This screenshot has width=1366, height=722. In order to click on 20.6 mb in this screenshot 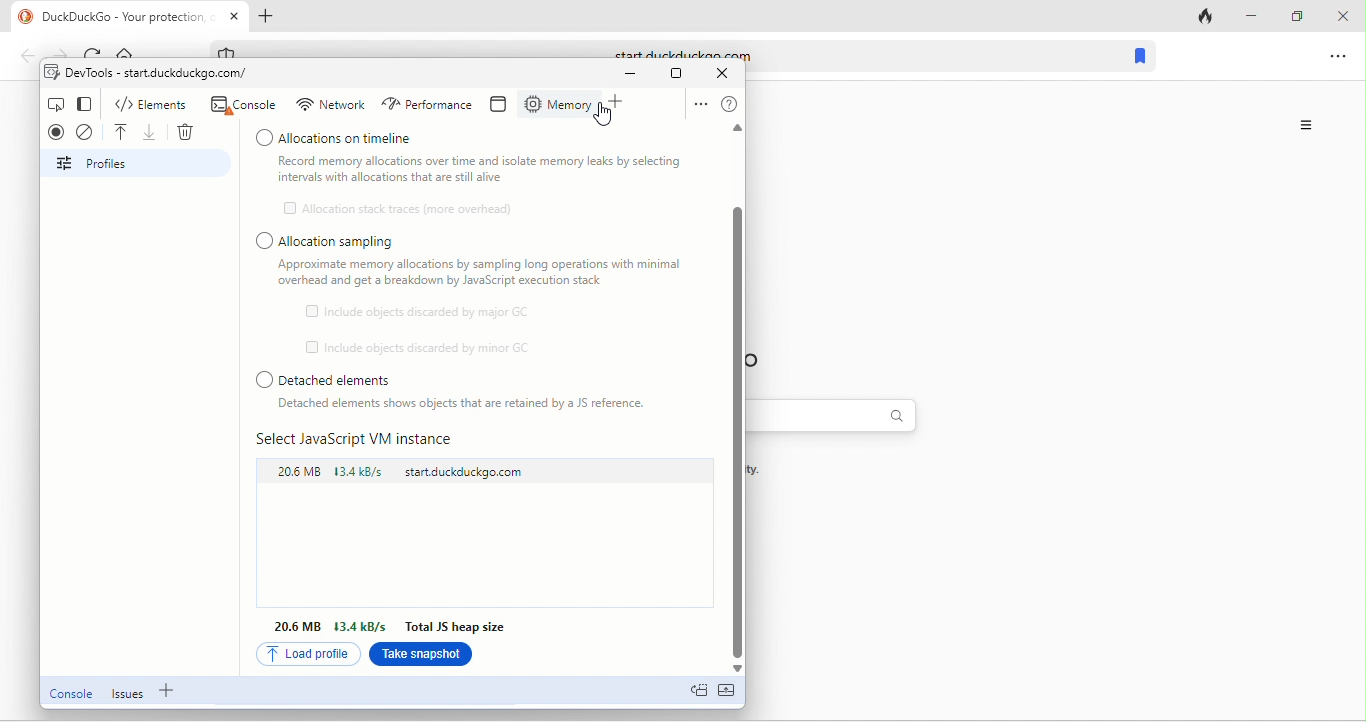, I will do `click(298, 470)`.